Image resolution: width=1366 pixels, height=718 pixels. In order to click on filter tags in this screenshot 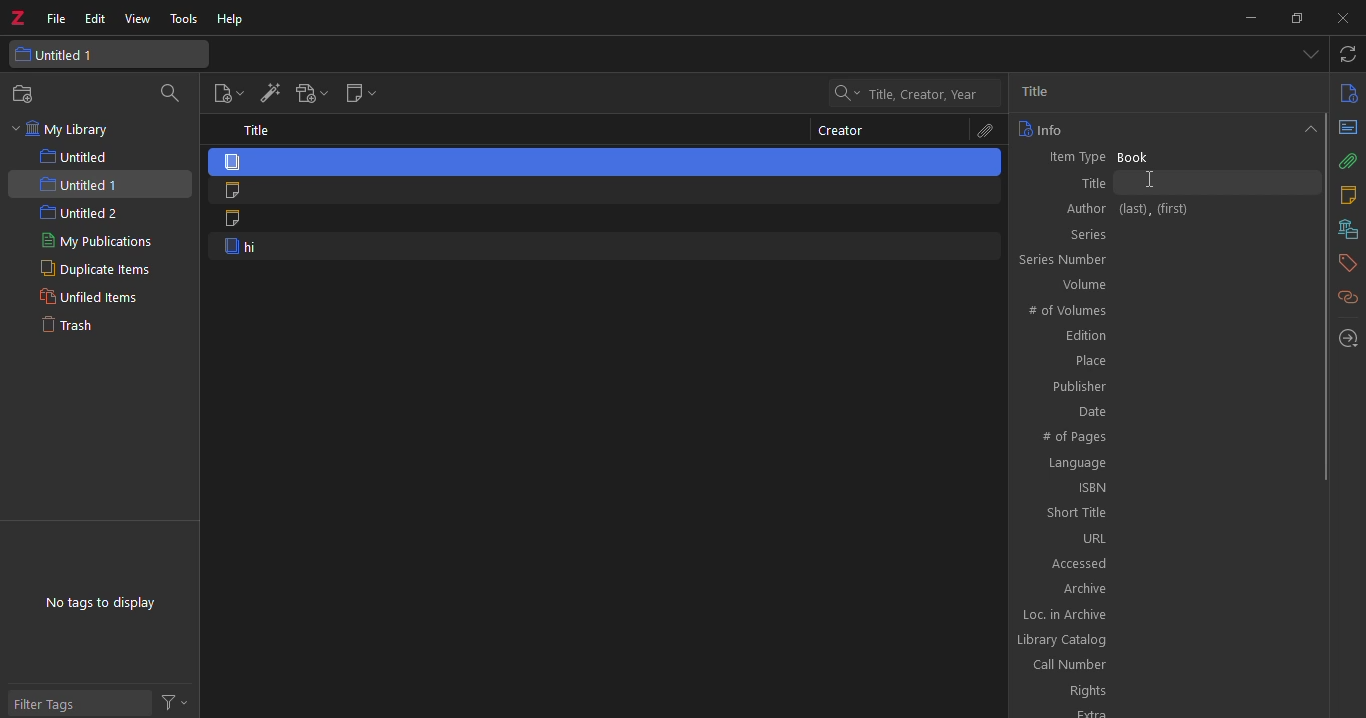, I will do `click(79, 701)`.